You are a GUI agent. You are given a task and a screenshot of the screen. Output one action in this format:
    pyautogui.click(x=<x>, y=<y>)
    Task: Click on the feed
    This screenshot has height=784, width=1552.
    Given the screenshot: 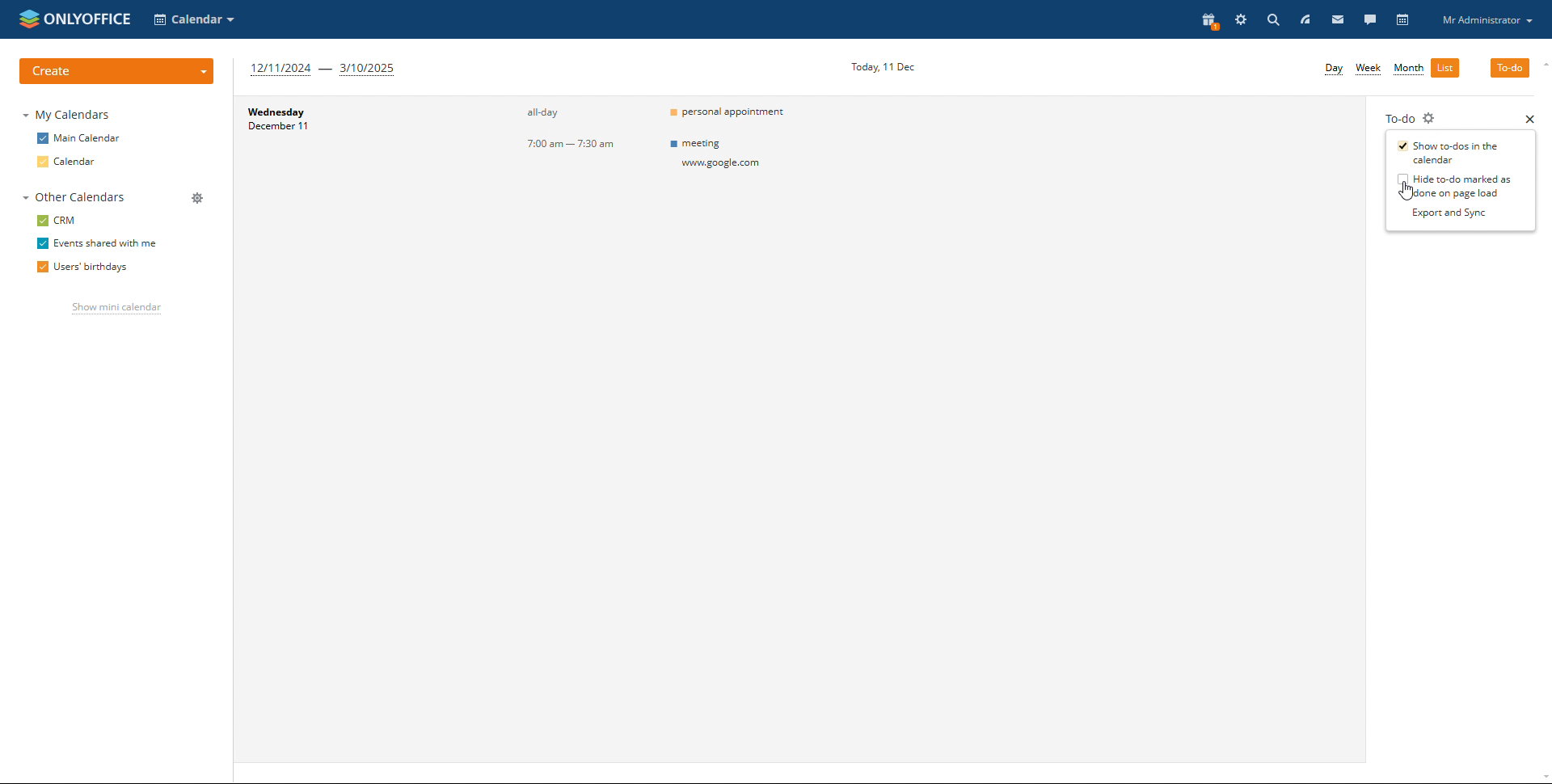 What is the action you would take?
    pyautogui.click(x=1306, y=19)
    